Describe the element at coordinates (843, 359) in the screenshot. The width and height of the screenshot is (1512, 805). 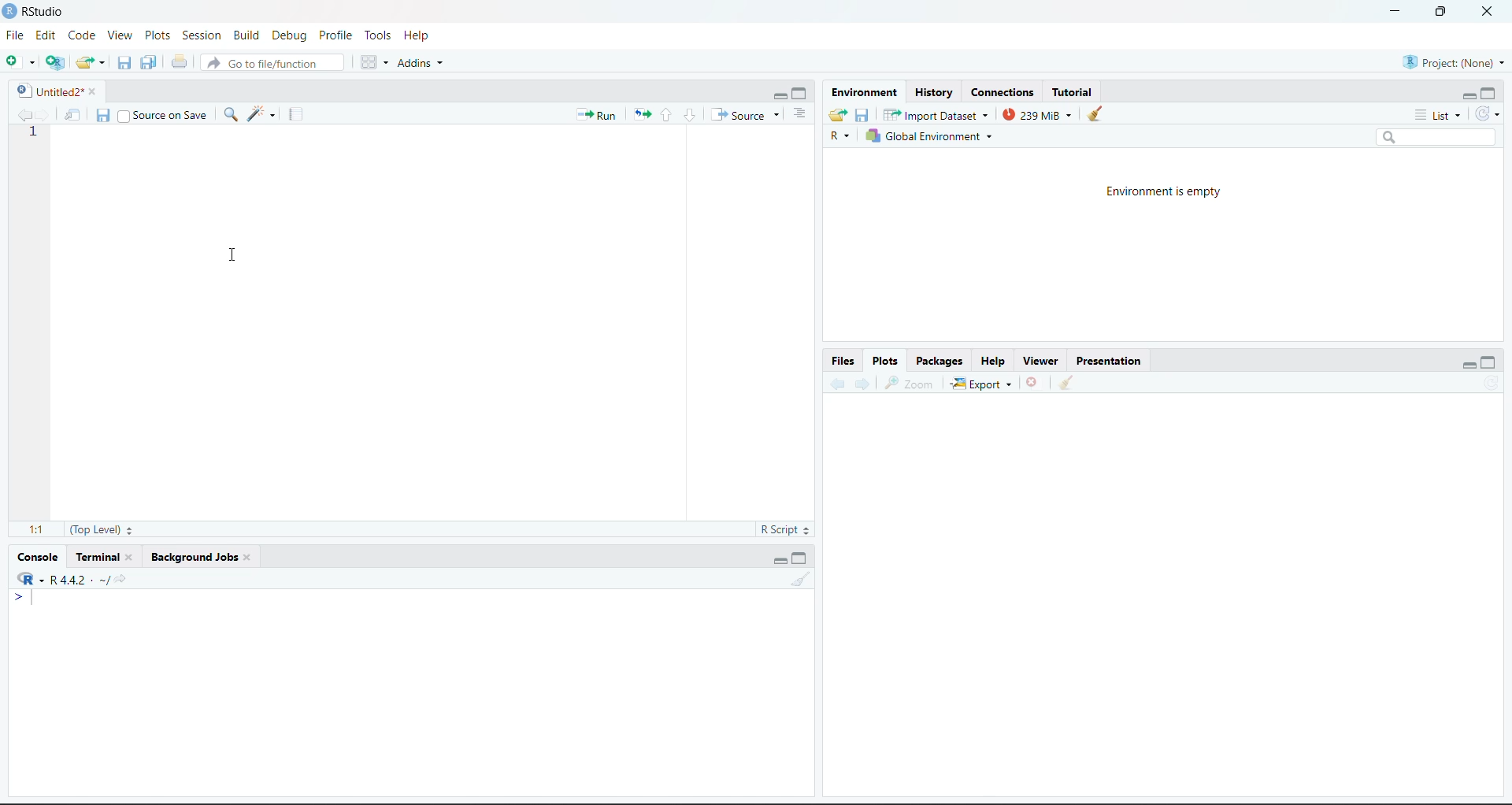
I see `Files` at that location.